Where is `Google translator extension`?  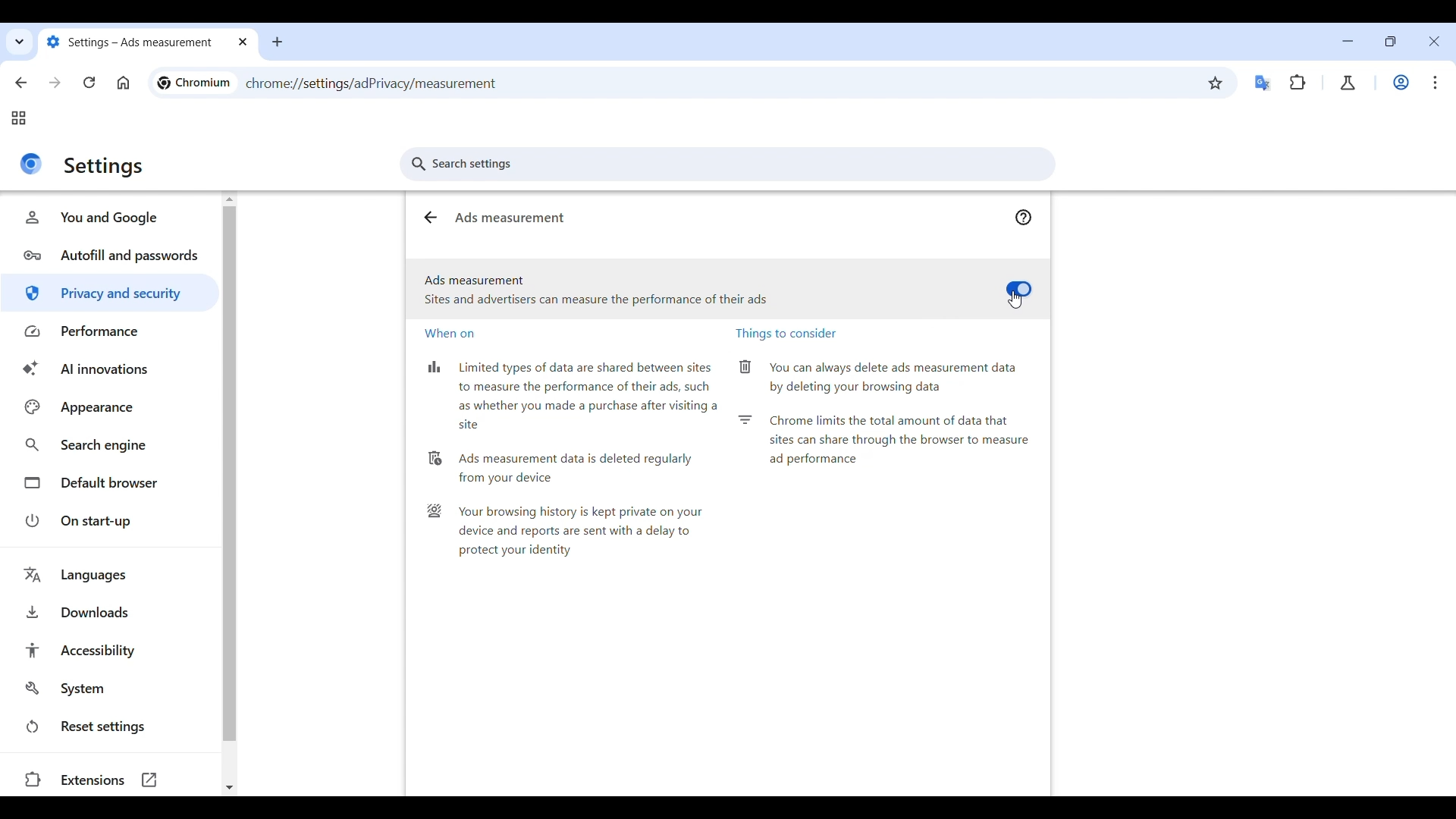
Google translator extension is located at coordinates (1263, 83).